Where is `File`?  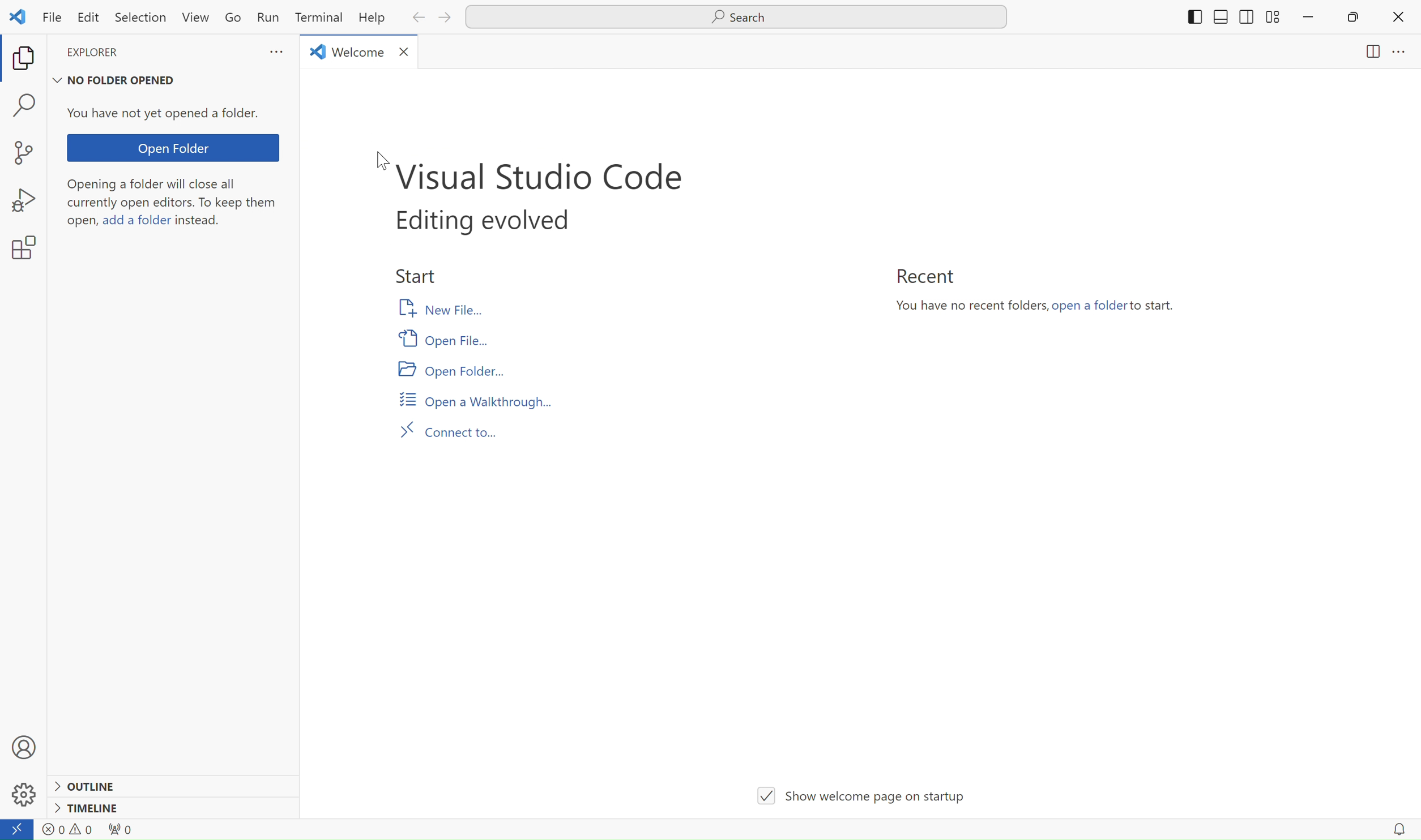 File is located at coordinates (49, 16).